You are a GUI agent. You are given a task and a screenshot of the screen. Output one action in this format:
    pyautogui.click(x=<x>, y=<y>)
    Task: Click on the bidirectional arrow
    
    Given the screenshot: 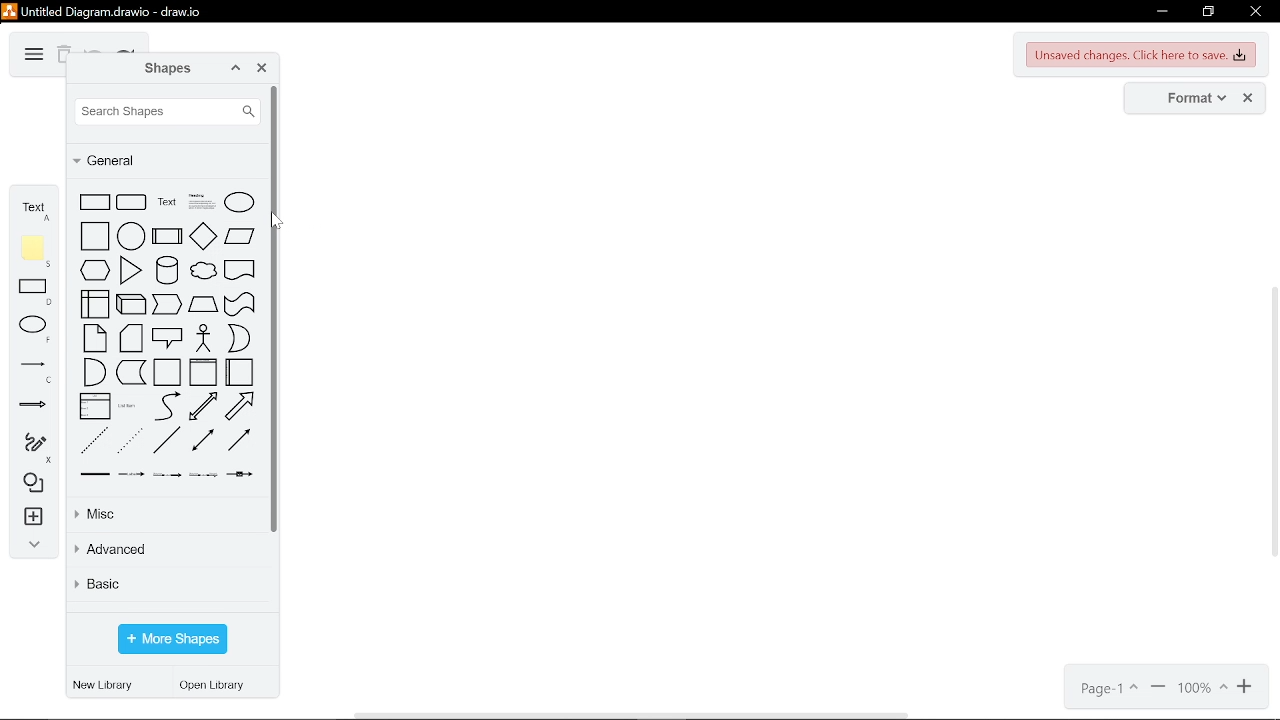 What is the action you would take?
    pyautogui.click(x=203, y=406)
    